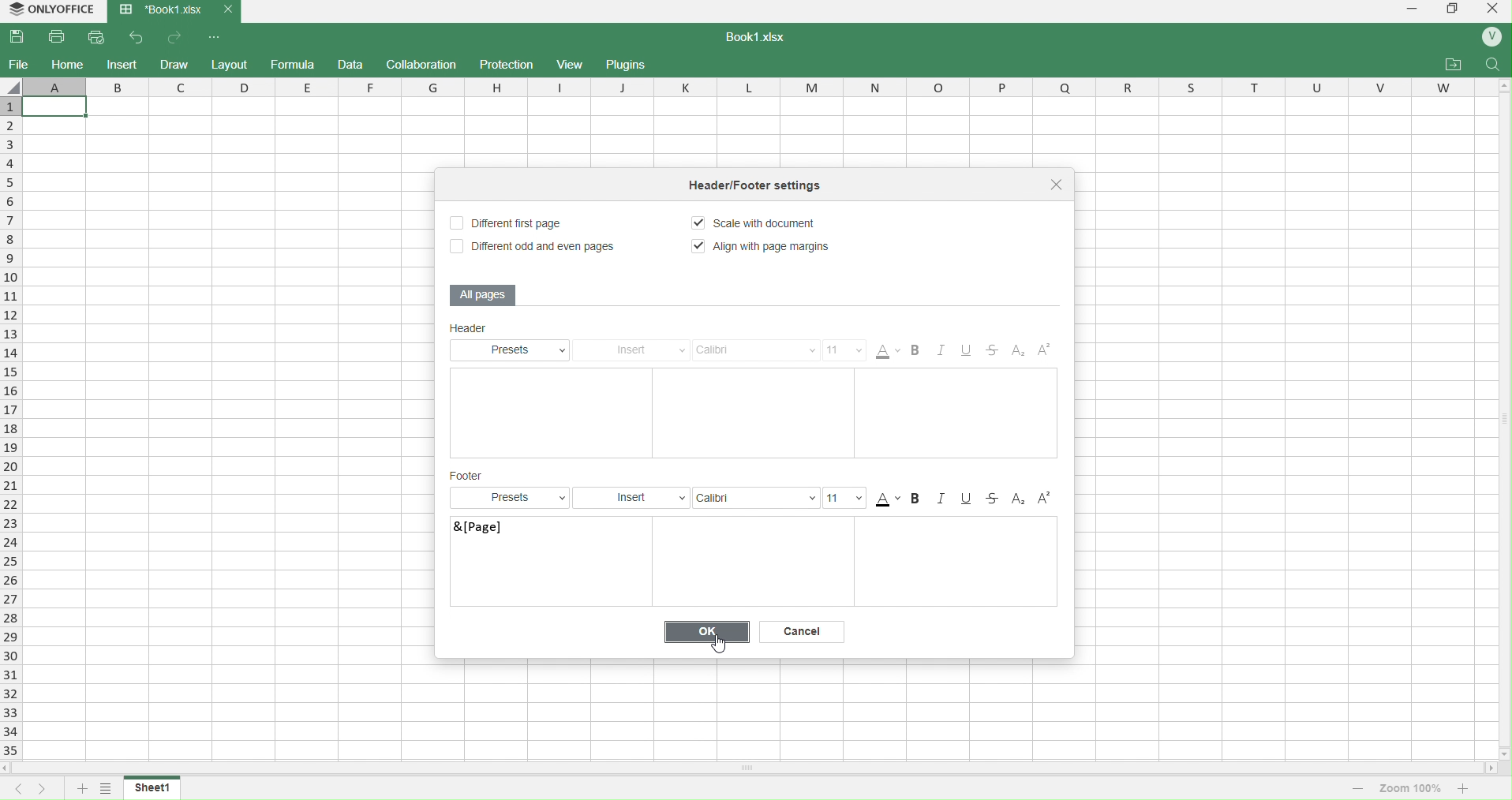  I want to click on close, so click(1491, 11).